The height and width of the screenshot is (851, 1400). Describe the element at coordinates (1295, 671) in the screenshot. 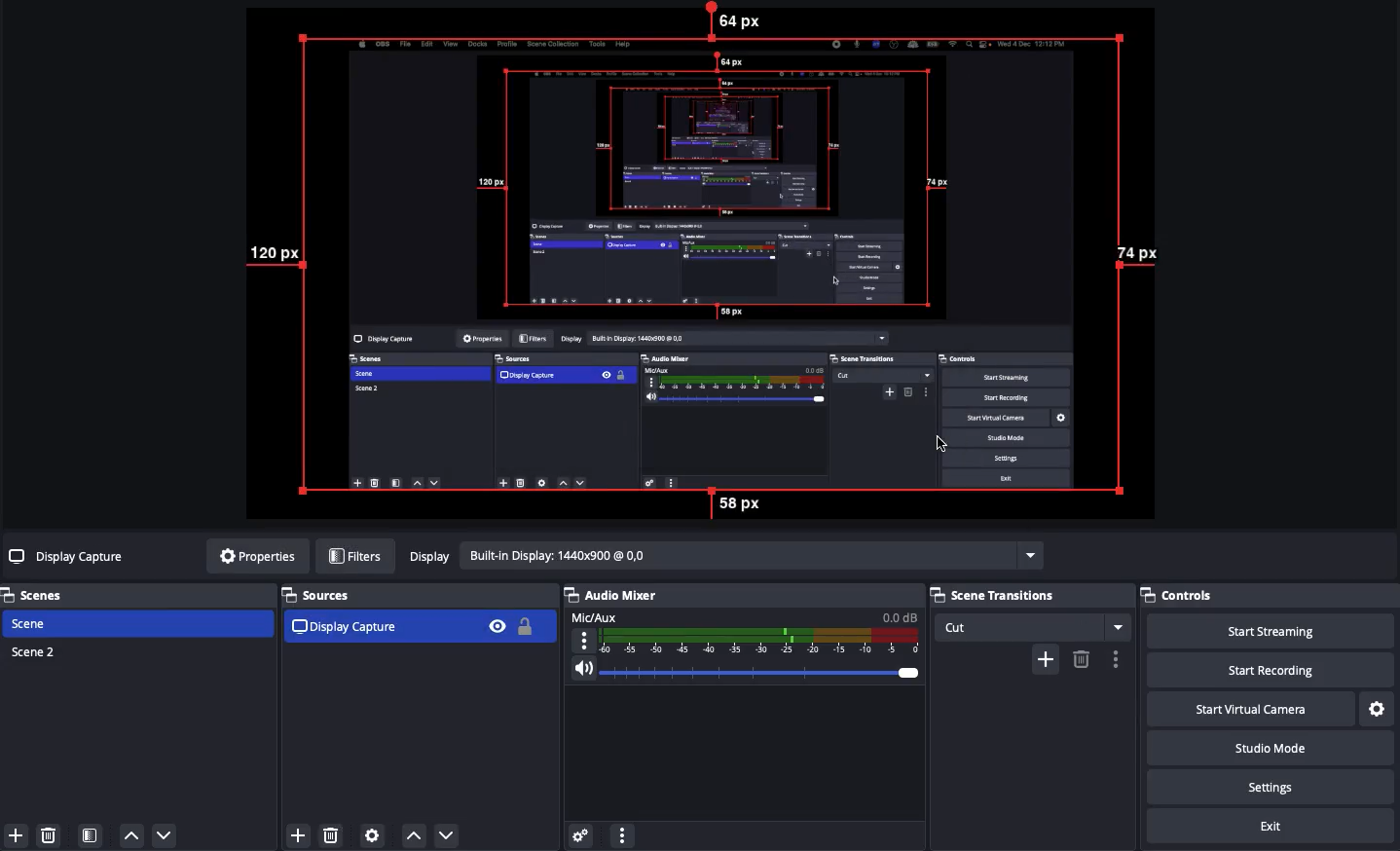

I see `Start recording` at that location.